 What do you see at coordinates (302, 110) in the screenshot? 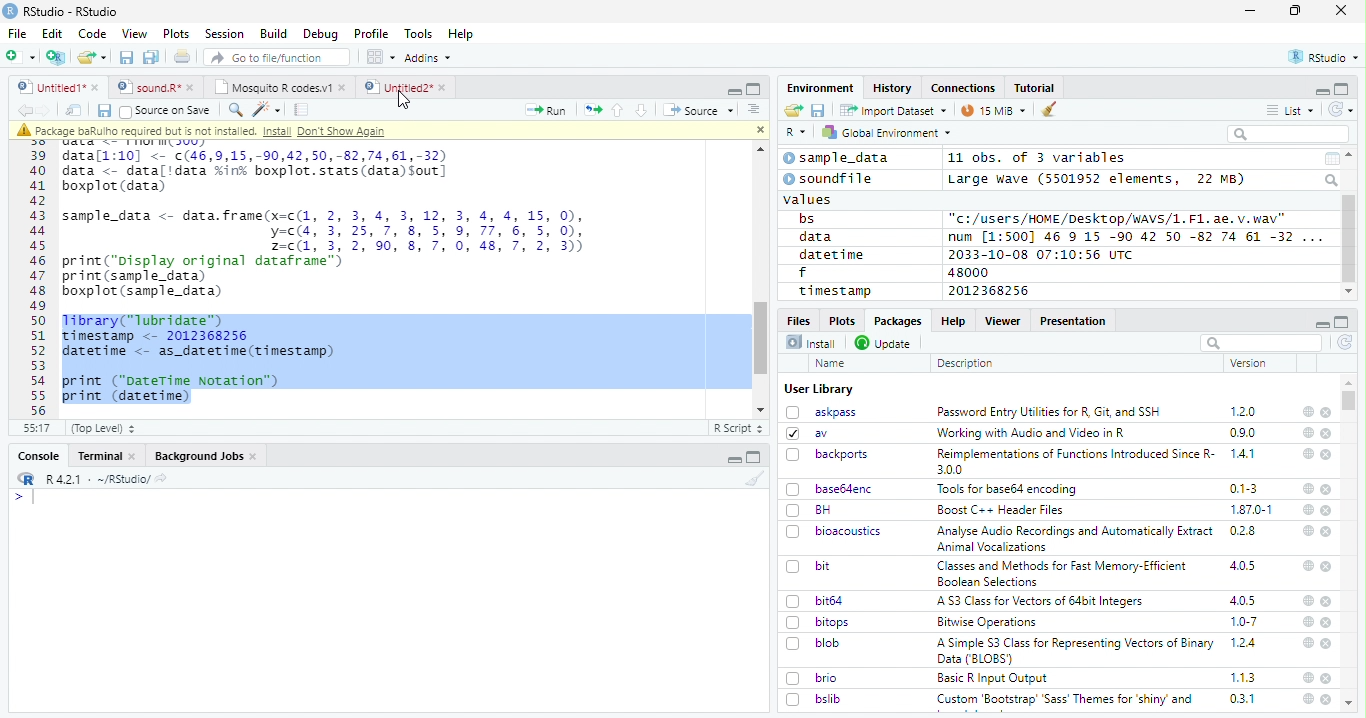
I see `Compile report` at bounding box center [302, 110].